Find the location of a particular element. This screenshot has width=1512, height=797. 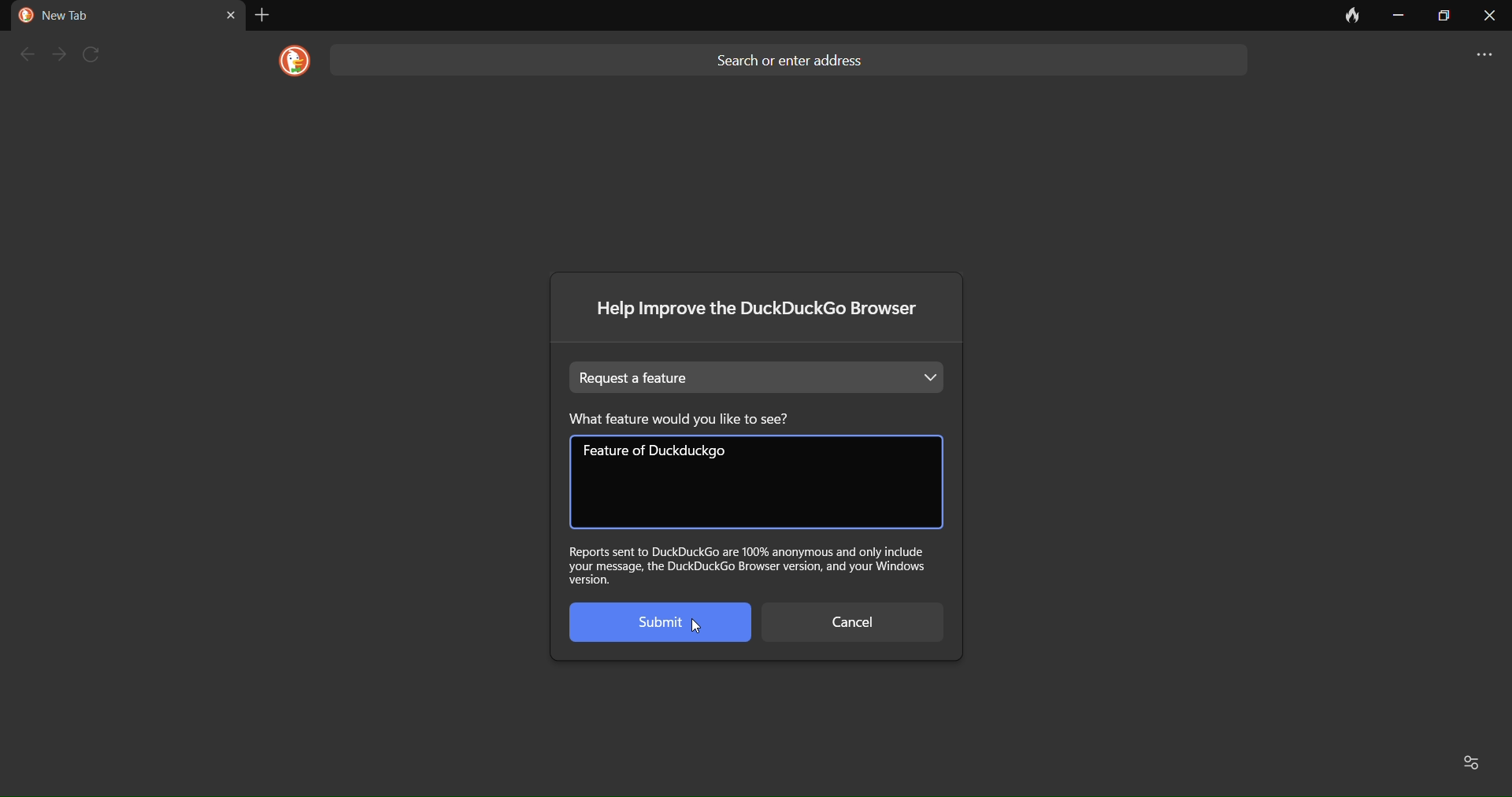

Request a feature is located at coordinates (760, 377).